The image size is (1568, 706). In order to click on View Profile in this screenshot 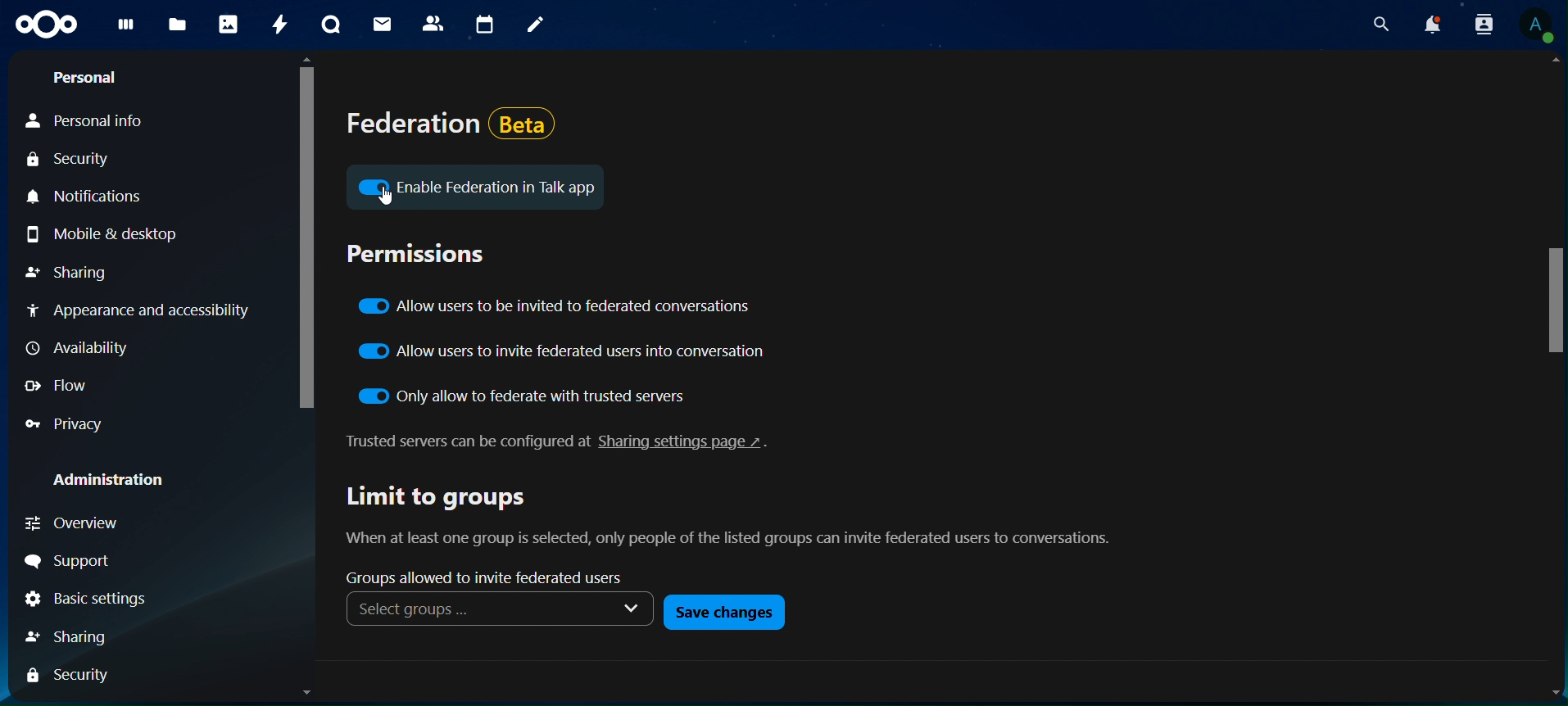, I will do `click(1537, 25)`.